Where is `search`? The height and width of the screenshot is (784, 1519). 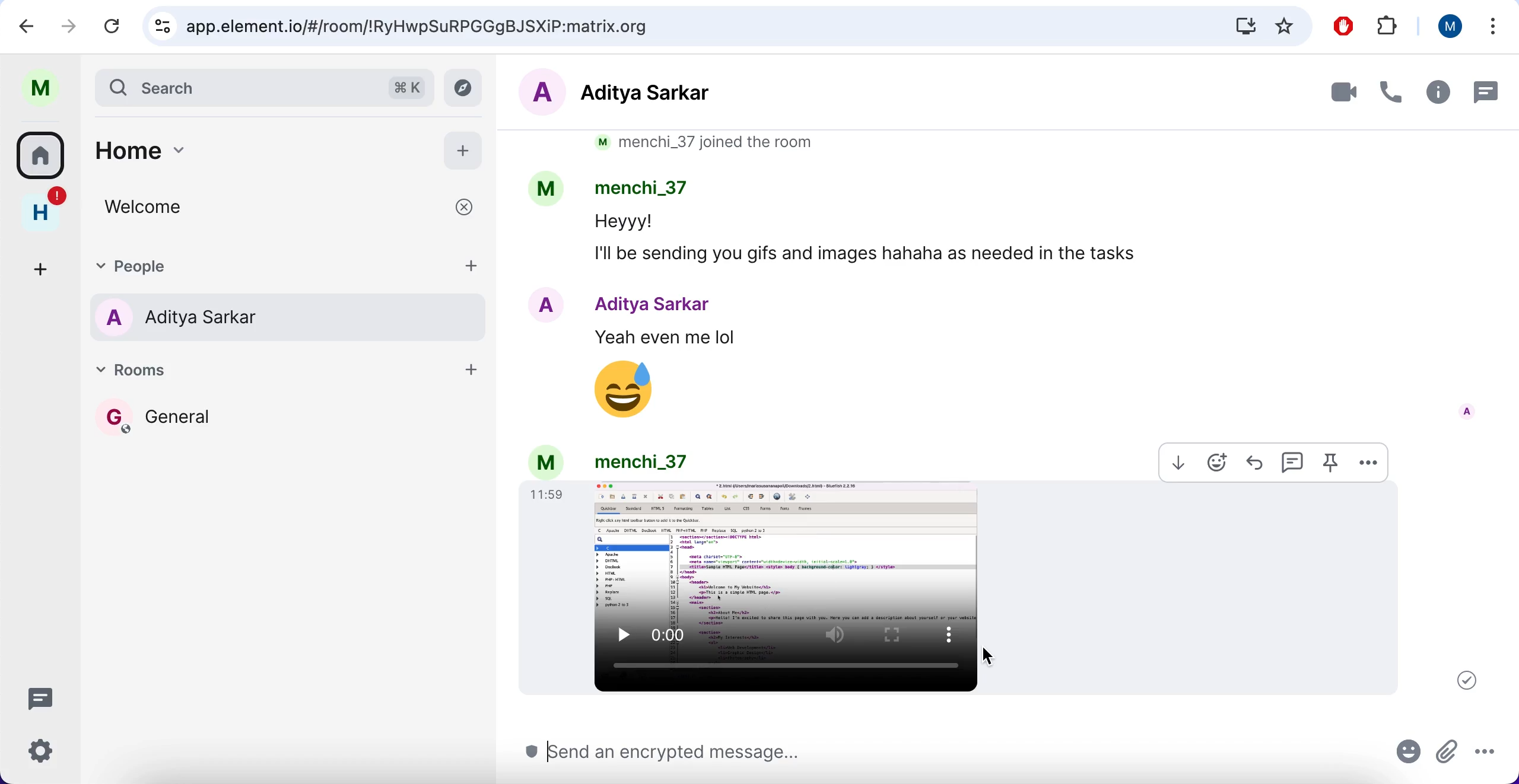 search is located at coordinates (266, 85).